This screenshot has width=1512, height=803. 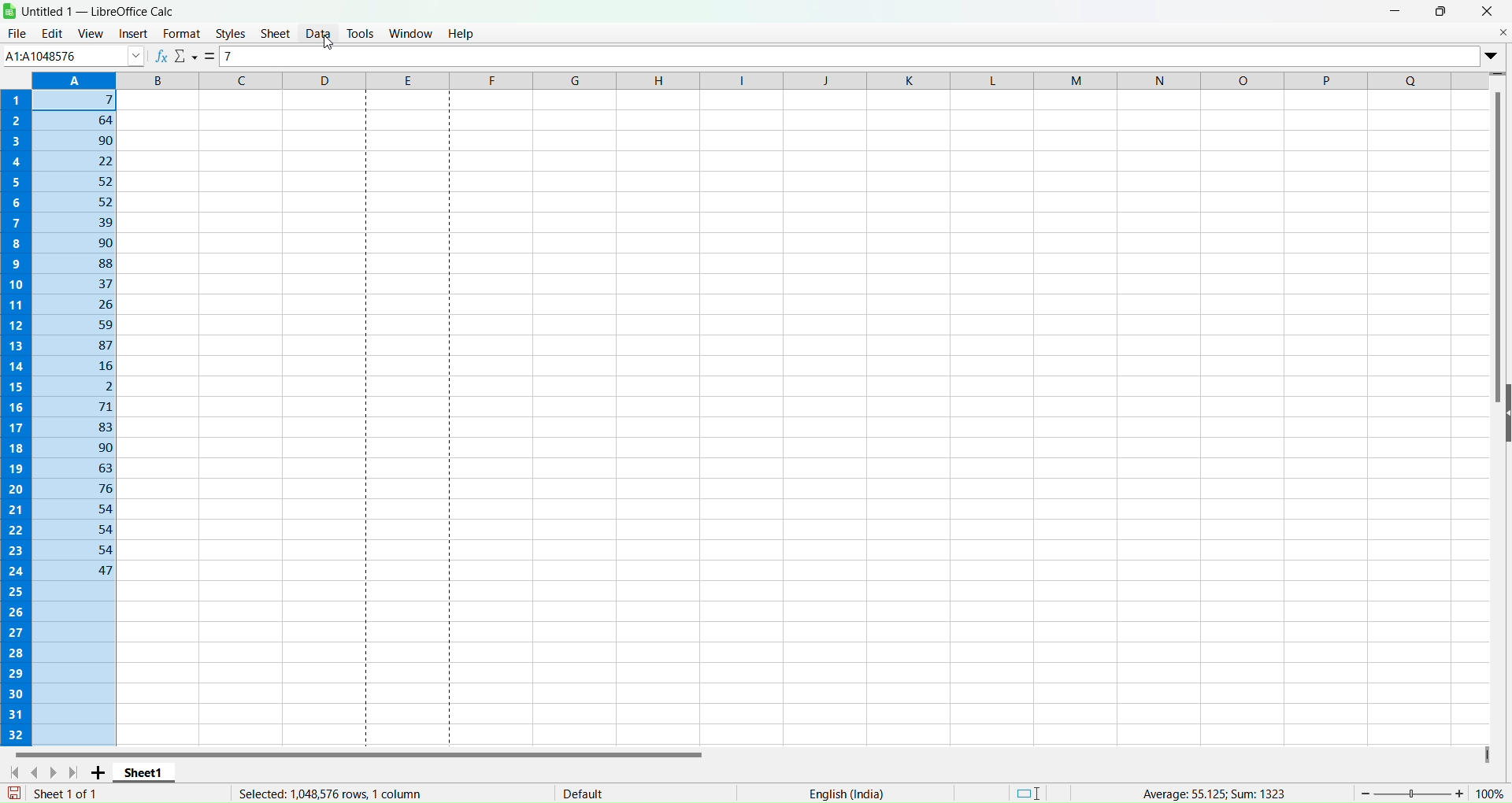 I want to click on Language, so click(x=846, y=794).